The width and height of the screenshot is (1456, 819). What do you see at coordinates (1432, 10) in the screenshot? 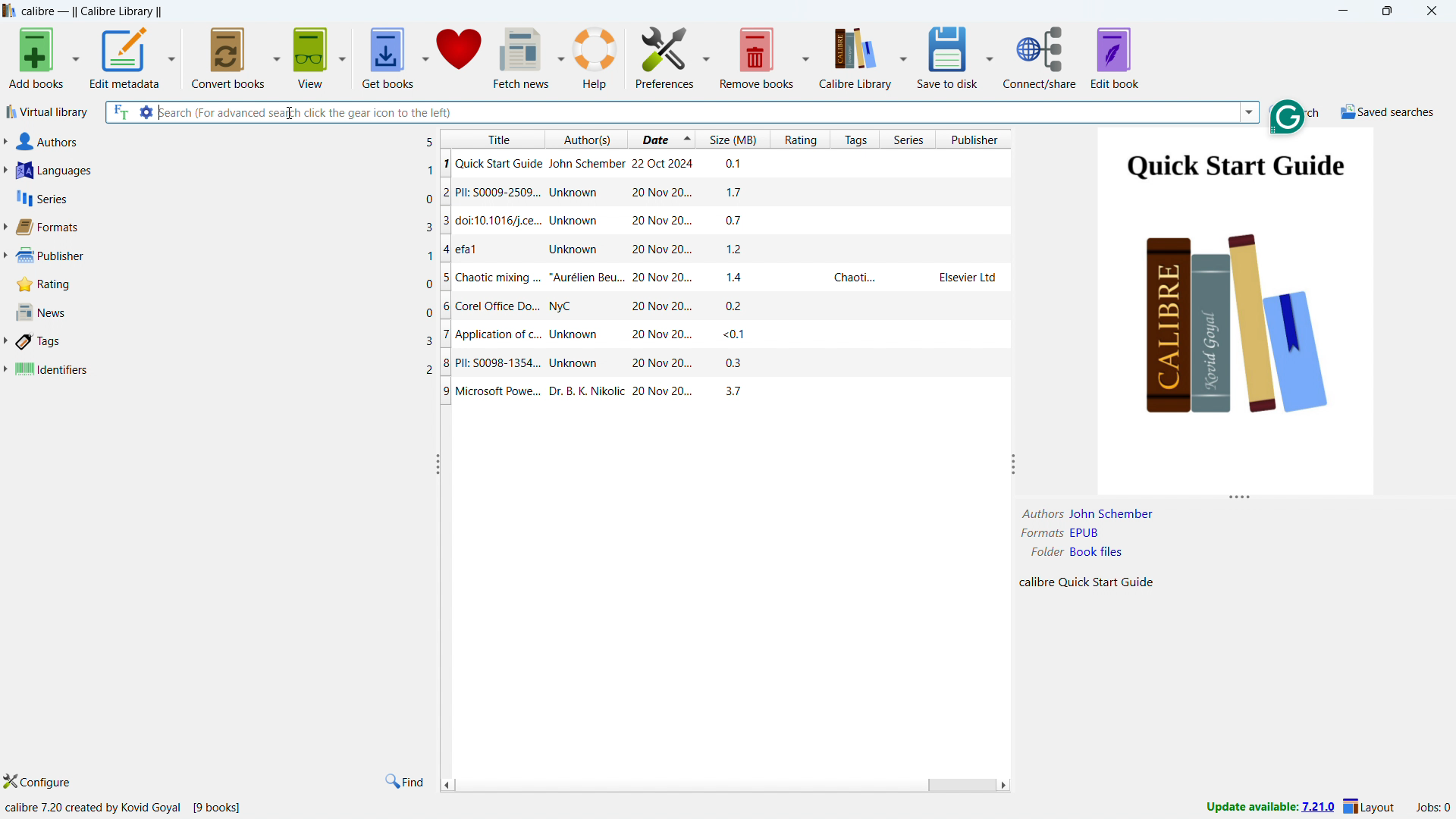
I see `close` at bounding box center [1432, 10].